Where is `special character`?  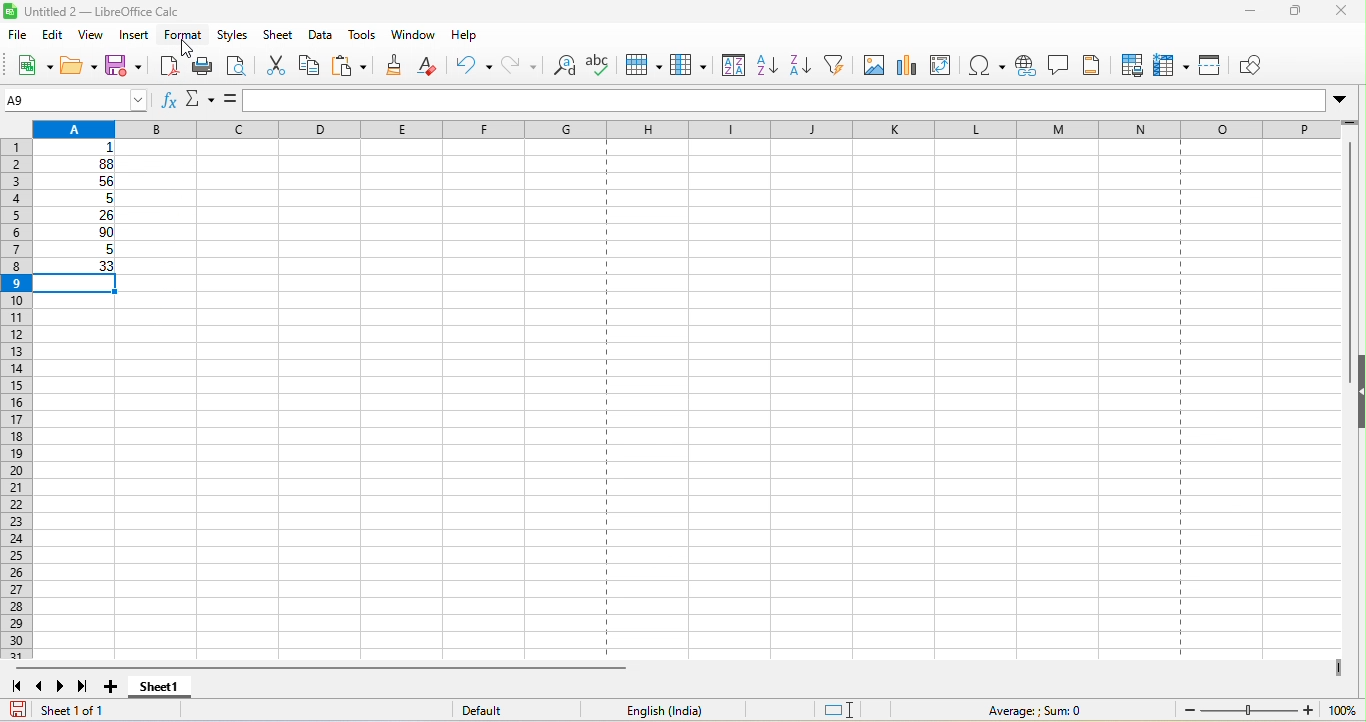
special character is located at coordinates (987, 67).